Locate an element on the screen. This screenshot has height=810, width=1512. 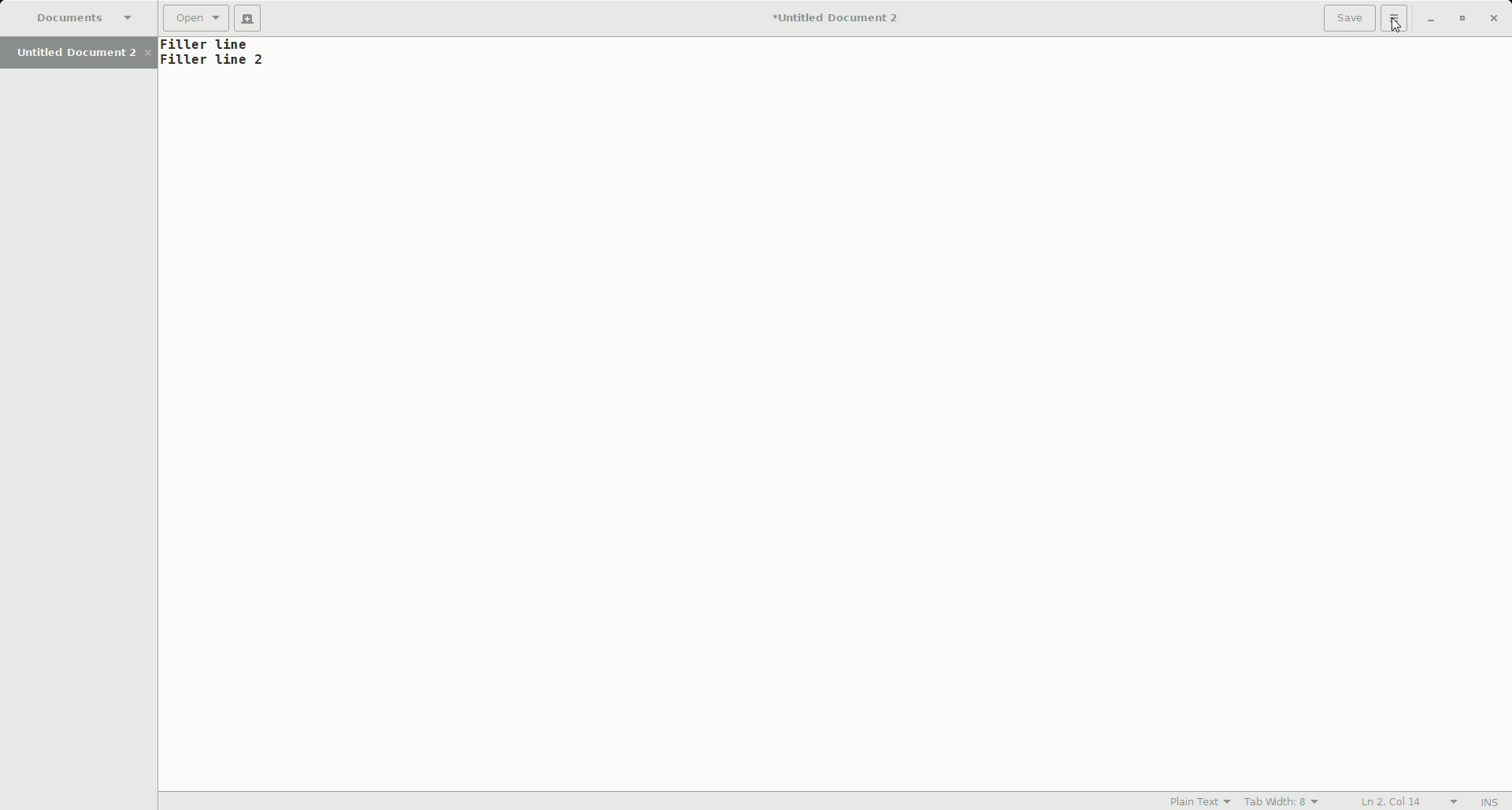
Untitled Document 2 is located at coordinates (828, 20).